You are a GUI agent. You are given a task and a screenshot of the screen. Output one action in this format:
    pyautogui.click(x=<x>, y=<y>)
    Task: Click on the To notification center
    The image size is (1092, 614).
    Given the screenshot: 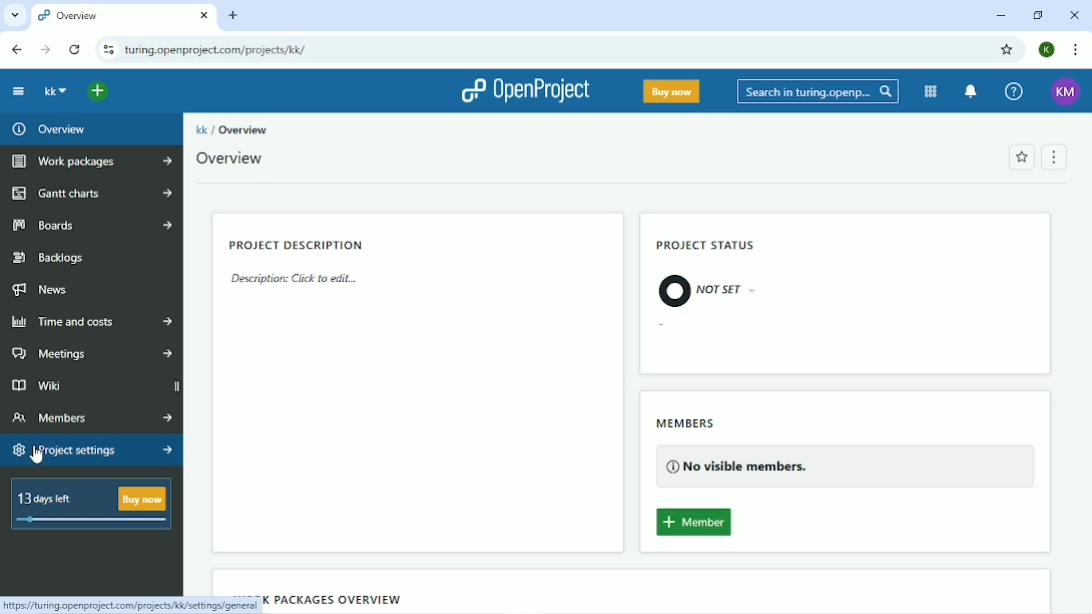 What is the action you would take?
    pyautogui.click(x=972, y=91)
    